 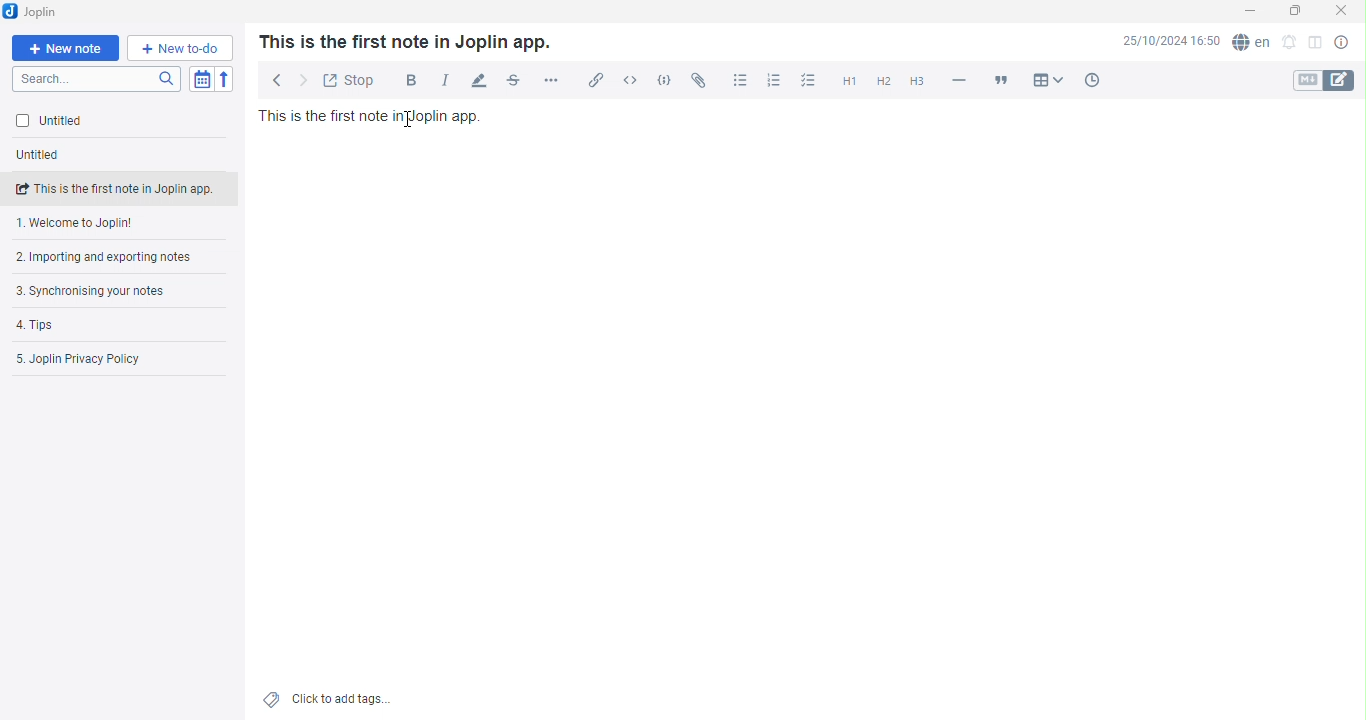 What do you see at coordinates (698, 79) in the screenshot?
I see `Attach file` at bounding box center [698, 79].